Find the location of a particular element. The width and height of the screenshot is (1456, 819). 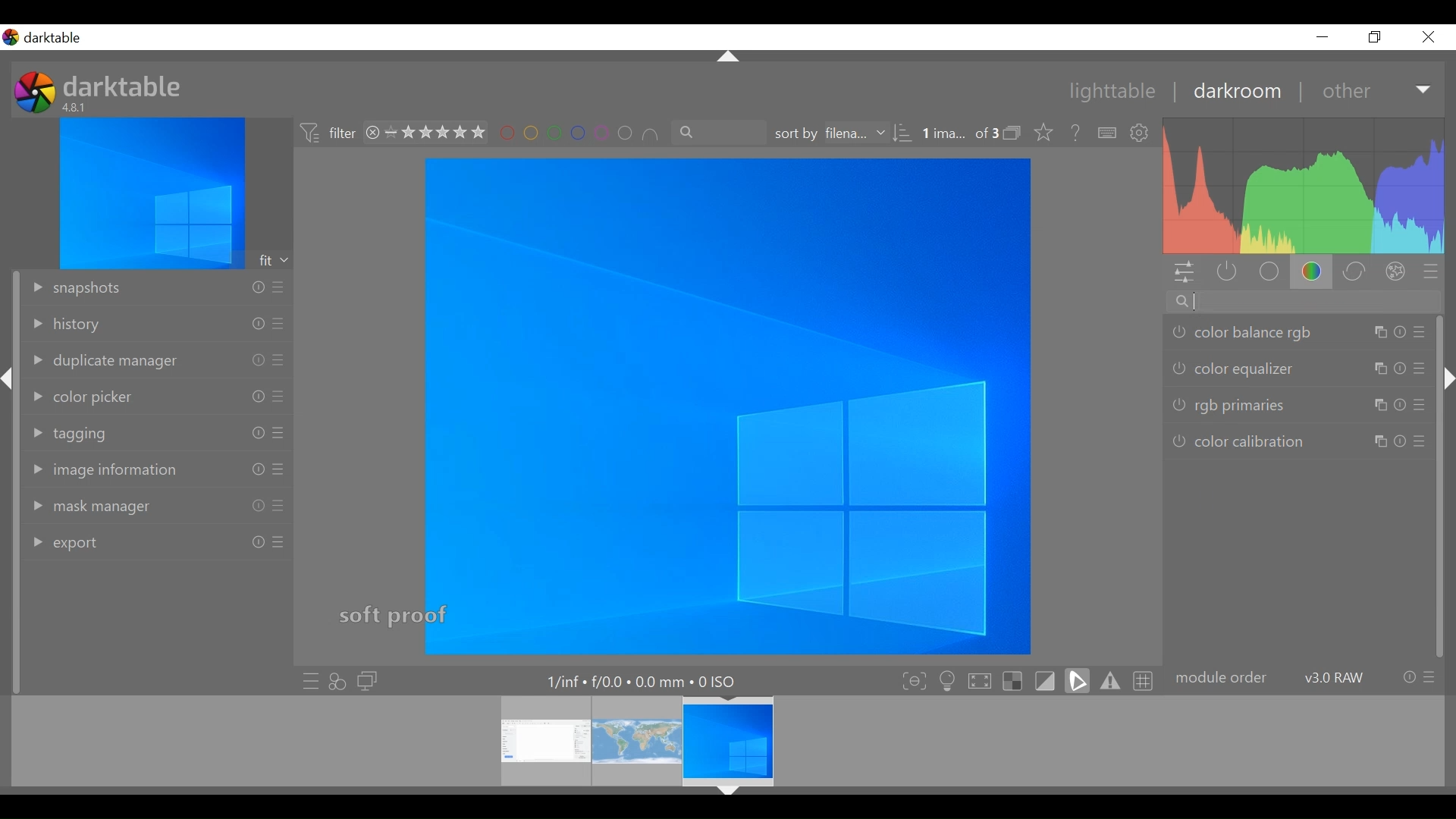

 is located at coordinates (1379, 406).